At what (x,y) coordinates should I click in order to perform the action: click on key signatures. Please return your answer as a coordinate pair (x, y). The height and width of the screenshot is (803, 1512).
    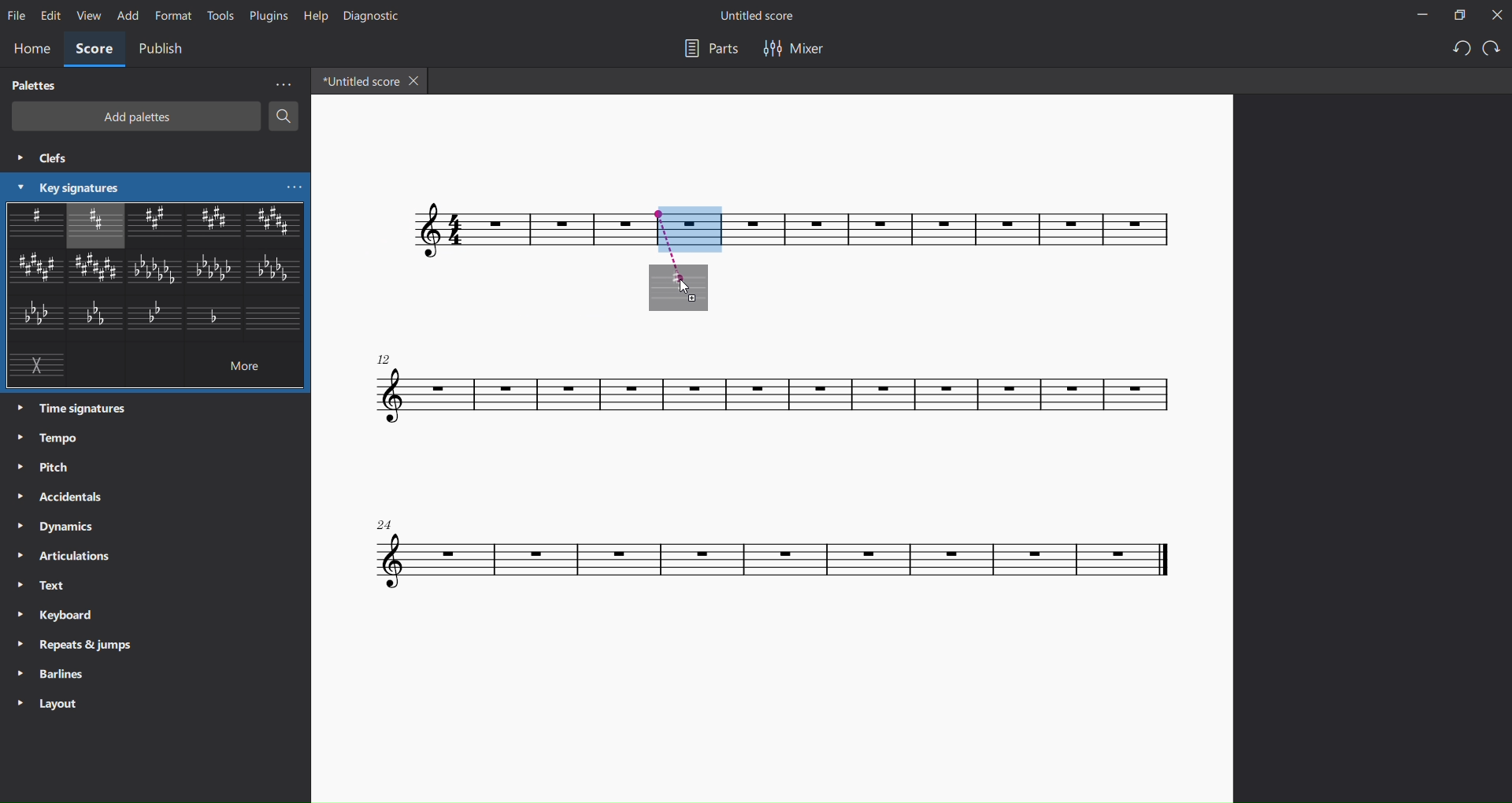
    Looking at the image, I should click on (66, 185).